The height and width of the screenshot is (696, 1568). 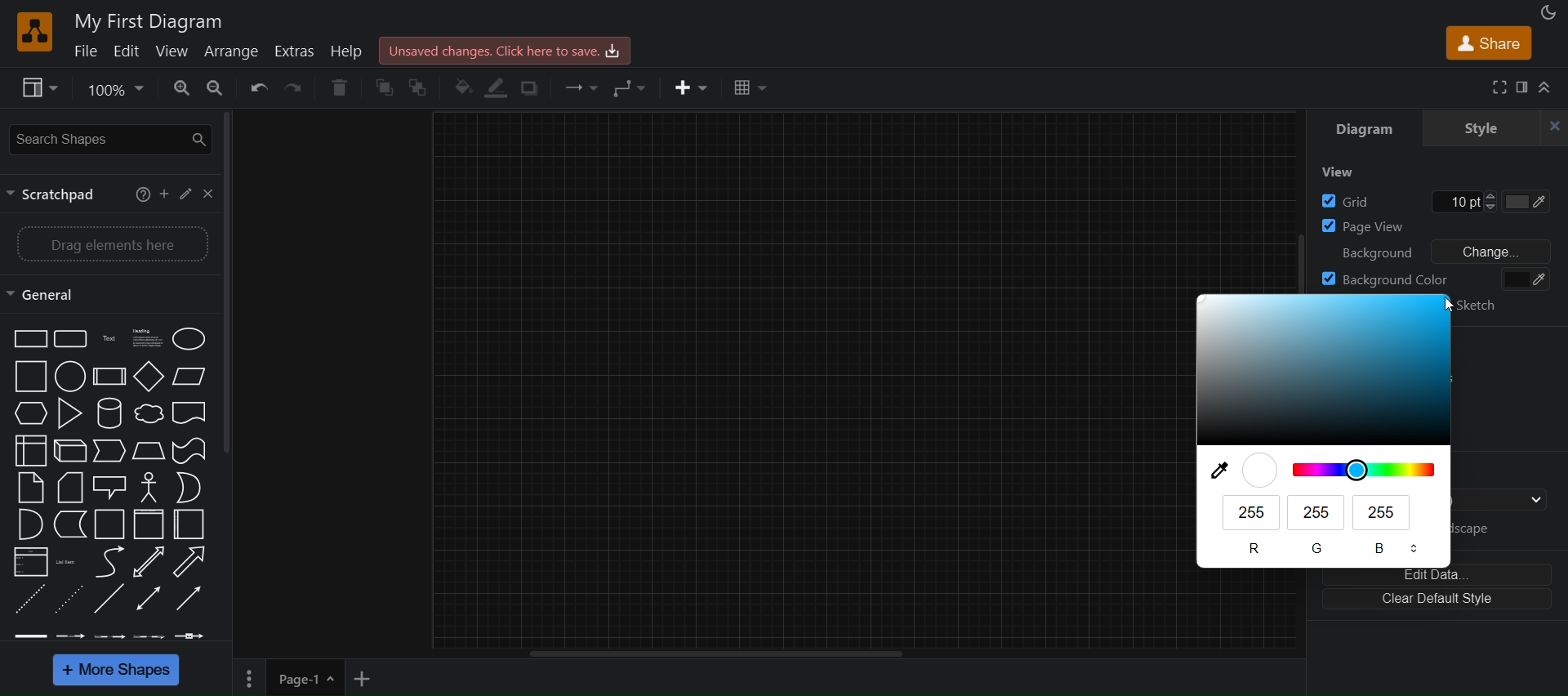 I want to click on vertical scroll bar, so click(x=229, y=286).